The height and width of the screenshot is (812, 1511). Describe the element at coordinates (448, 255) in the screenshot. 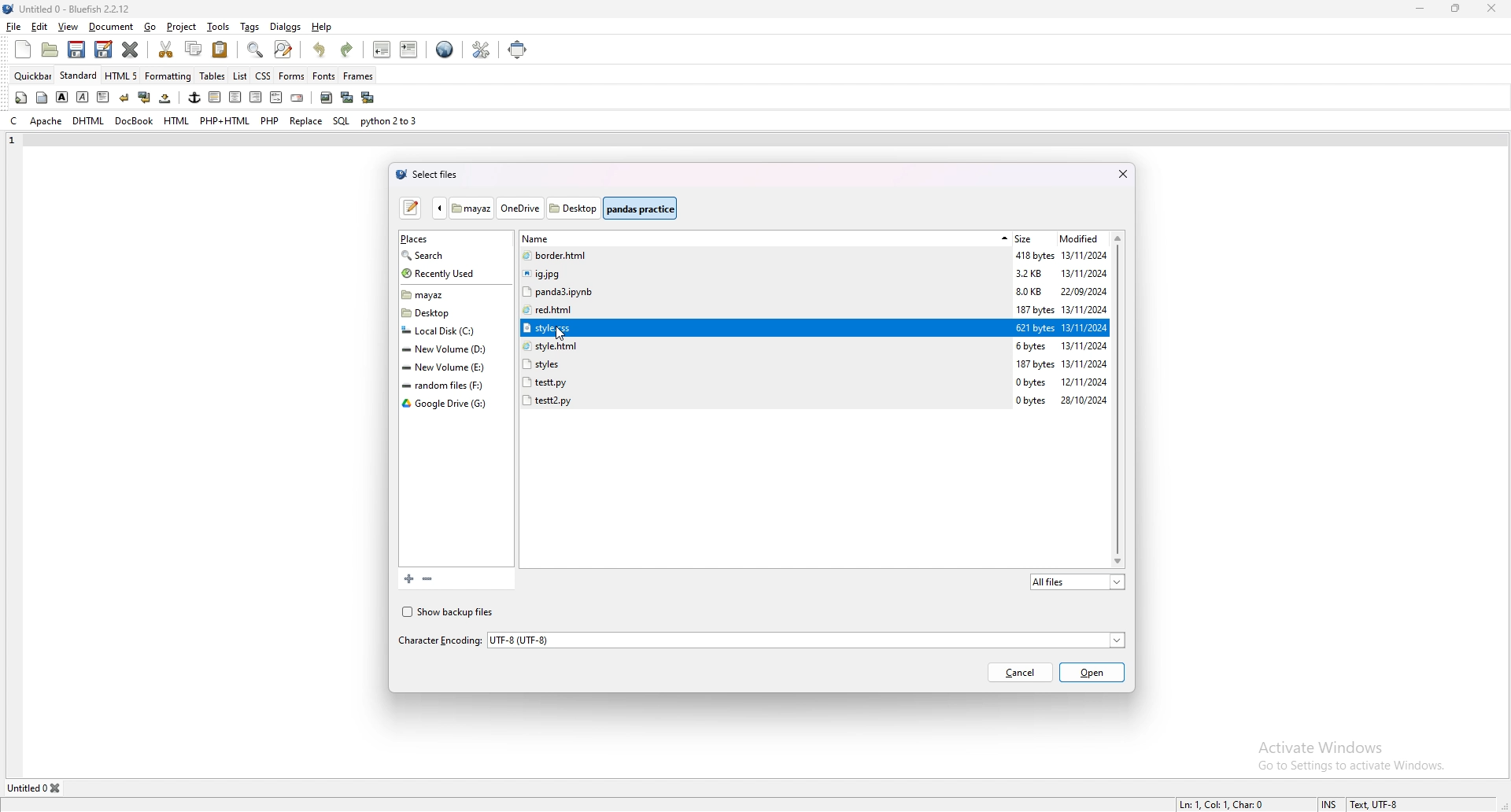

I see `search` at that location.